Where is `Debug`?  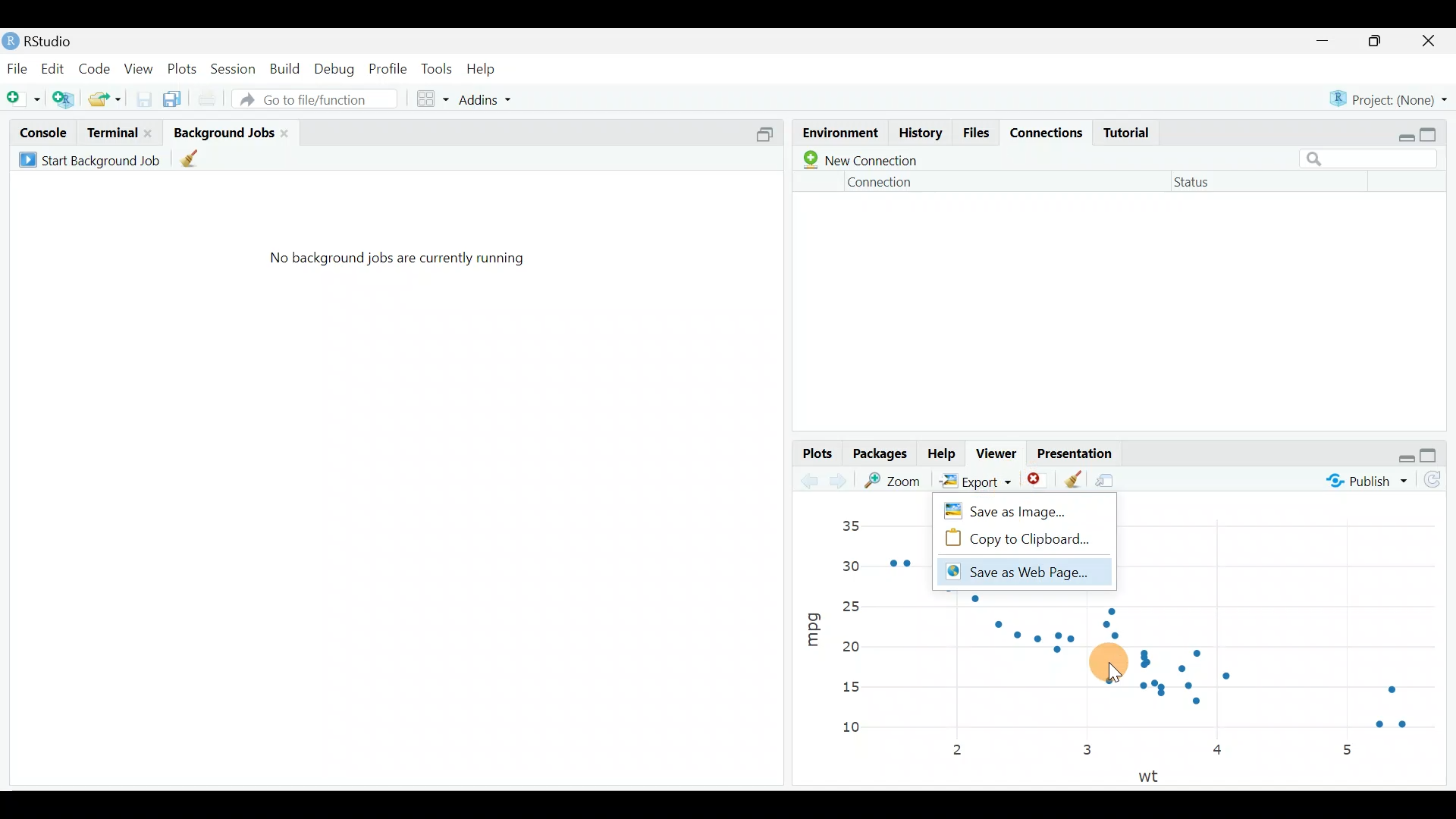
Debug is located at coordinates (336, 69).